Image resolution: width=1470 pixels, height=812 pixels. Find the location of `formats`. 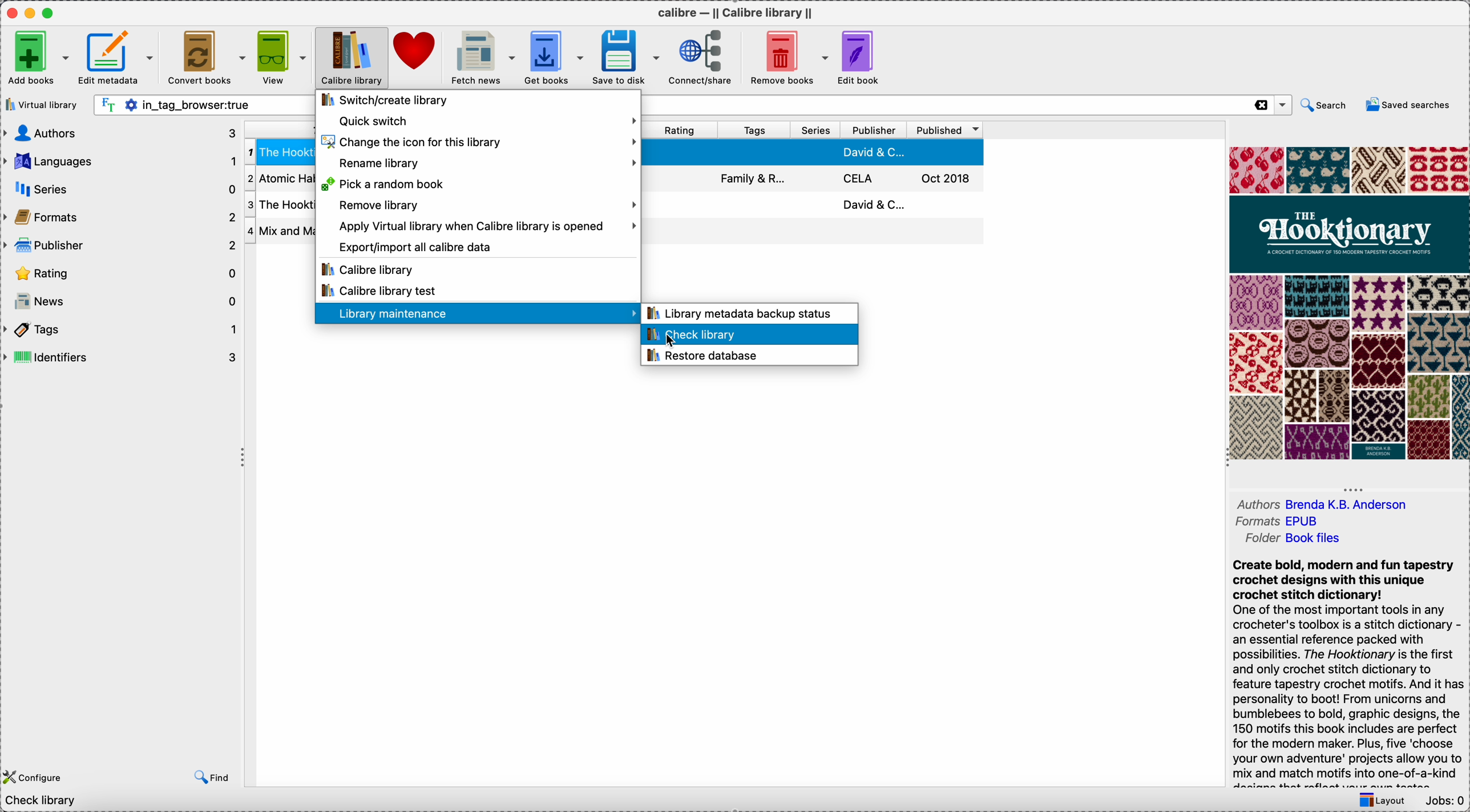

formats is located at coordinates (1282, 522).